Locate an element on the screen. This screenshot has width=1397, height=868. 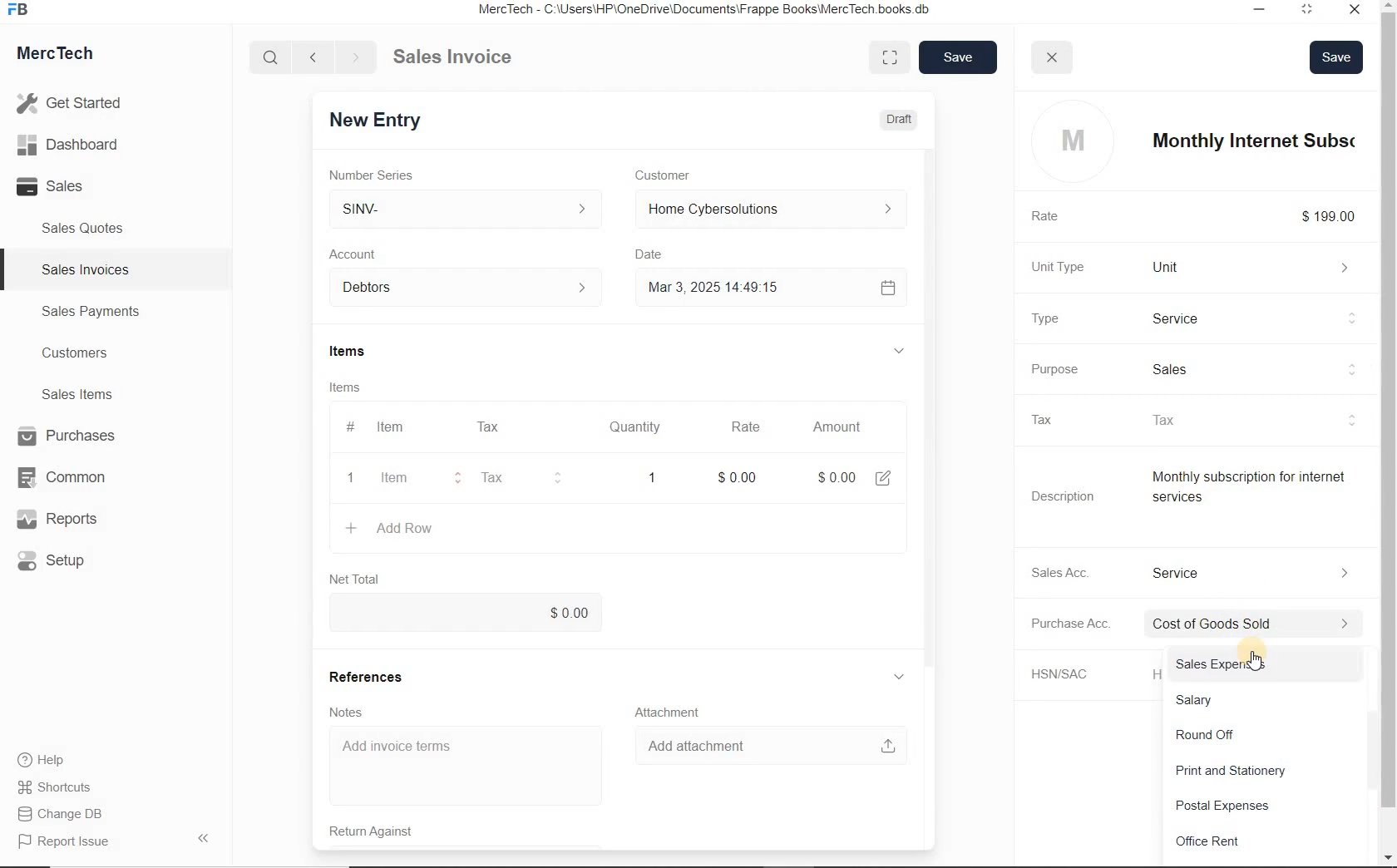
Home Cyber Solutions is located at coordinates (774, 210).